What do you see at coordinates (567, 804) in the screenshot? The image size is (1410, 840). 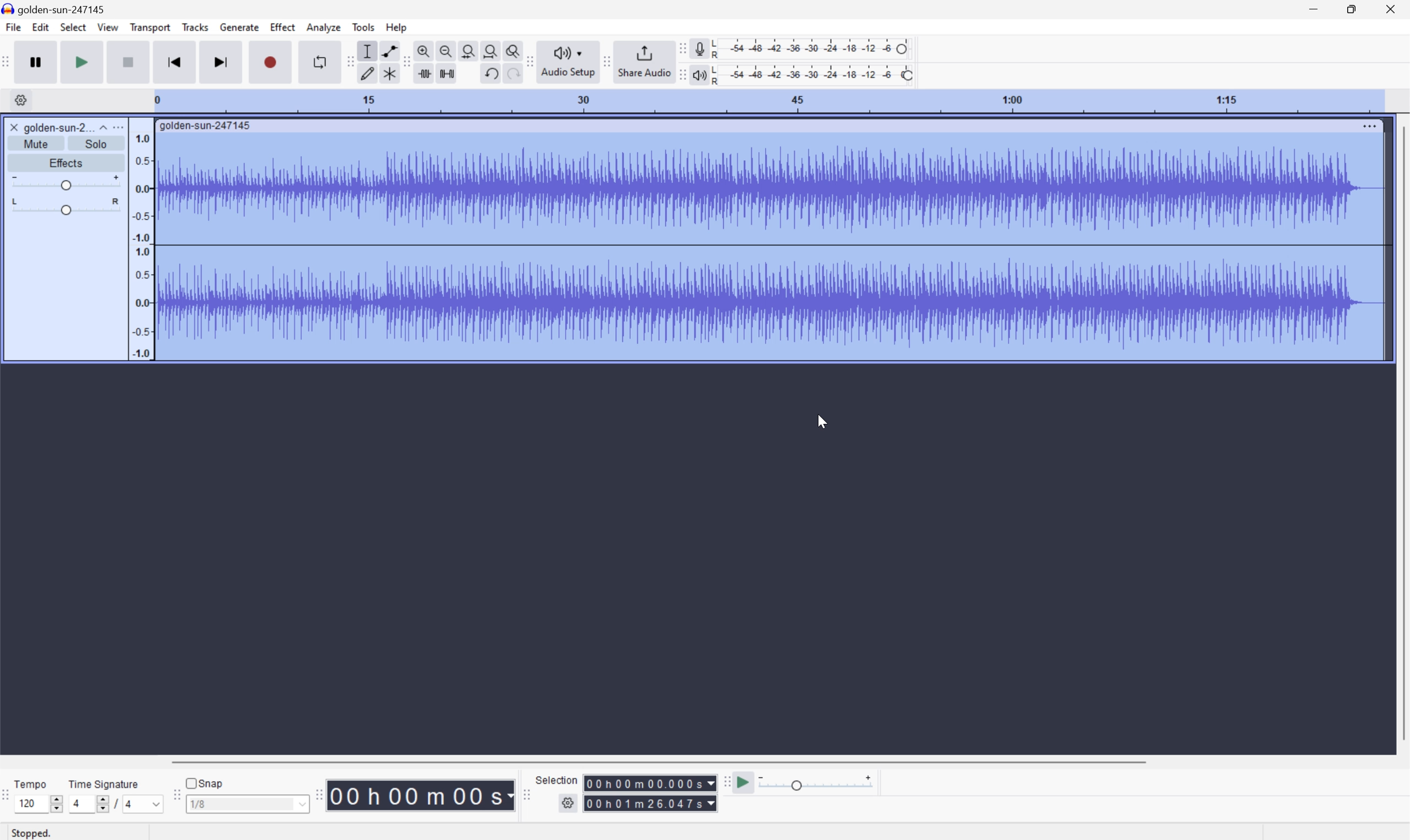 I see `Settings` at bounding box center [567, 804].